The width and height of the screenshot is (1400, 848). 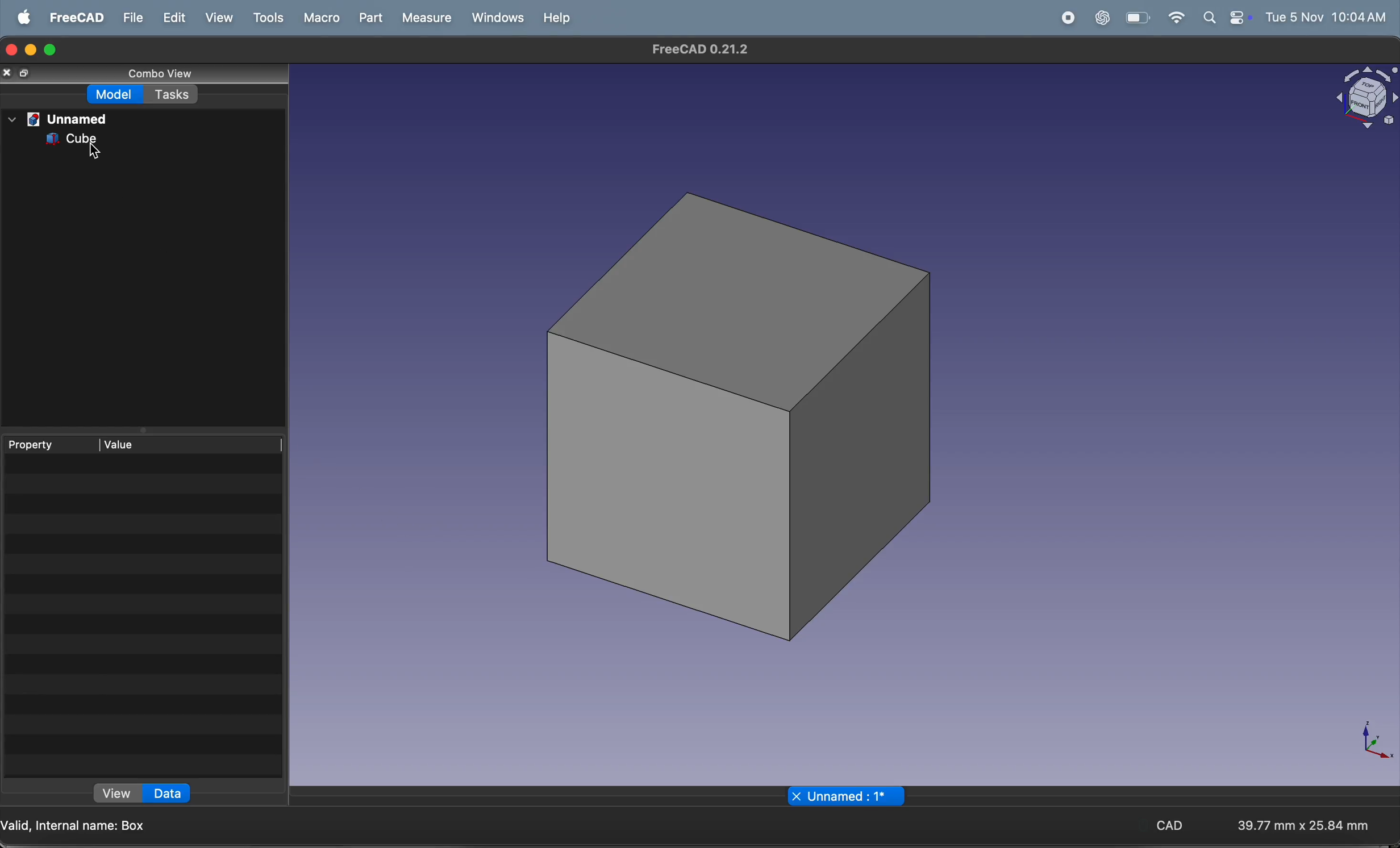 What do you see at coordinates (148, 72) in the screenshot?
I see `combo` at bounding box center [148, 72].